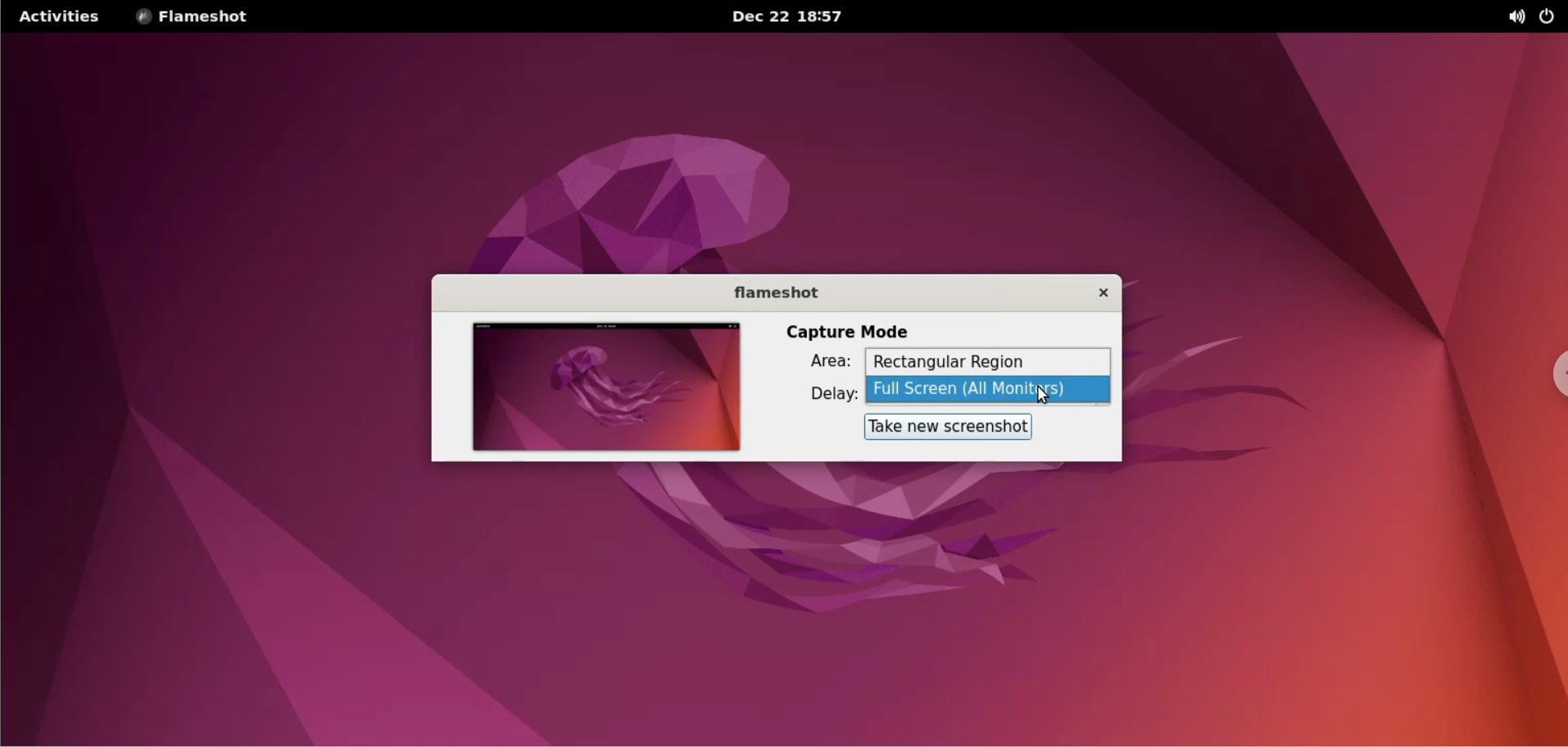 The width and height of the screenshot is (1568, 747). Describe the element at coordinates (57, 16) in the screenshot. I see `activities` at that location.